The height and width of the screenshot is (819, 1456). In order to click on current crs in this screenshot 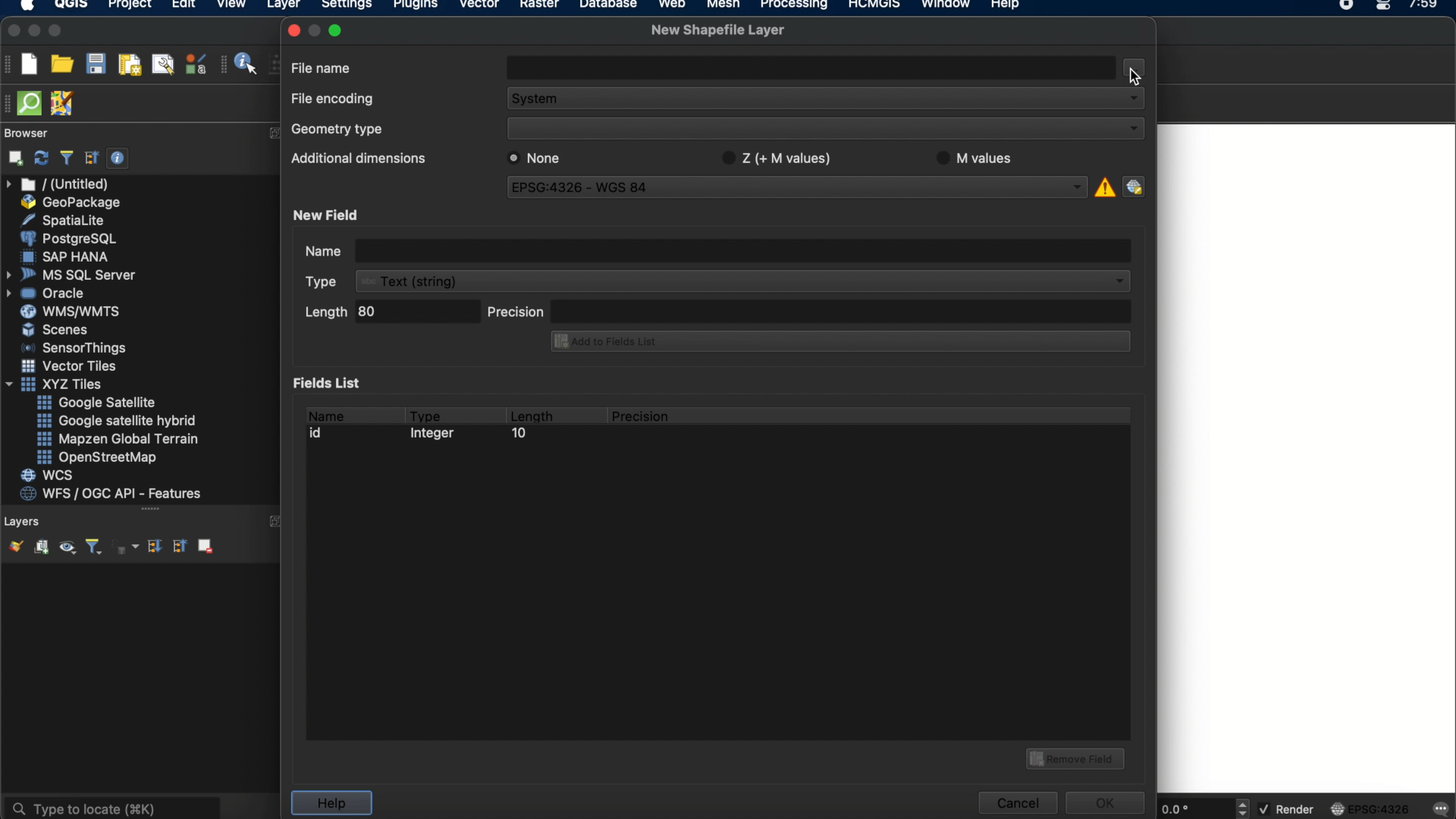, I will do `click(1370, 808)`.